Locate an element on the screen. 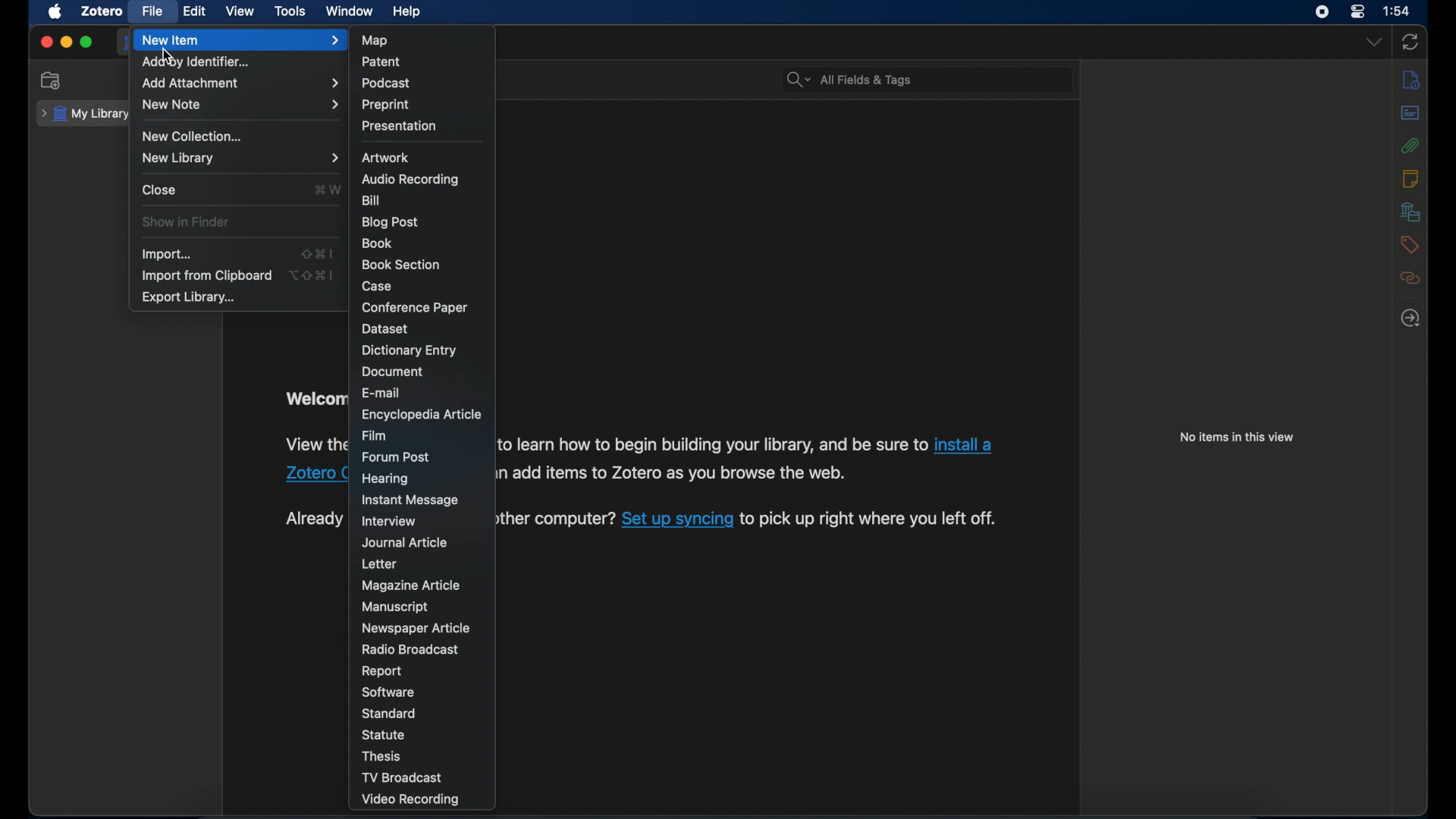 This screenshot has height=819, width=1456. abstract is located at coordinates (1411, 113).